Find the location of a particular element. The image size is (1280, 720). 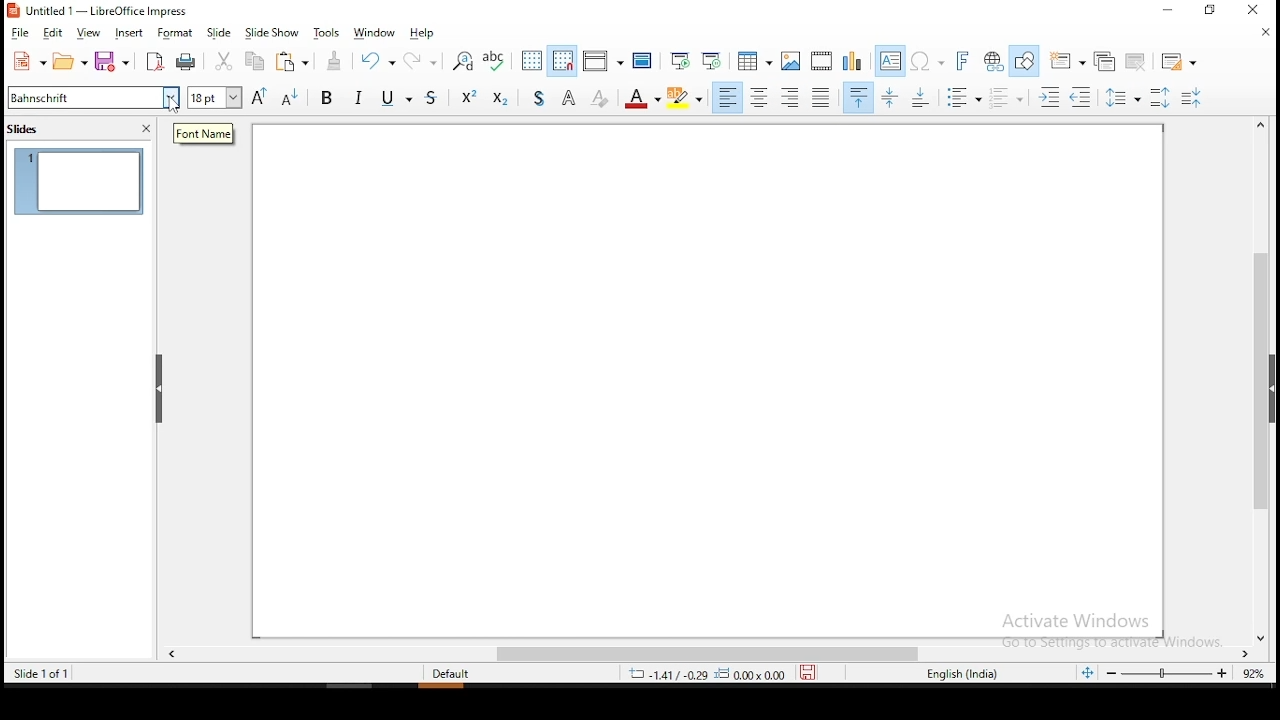

paste is located at coordinates (298, 63).